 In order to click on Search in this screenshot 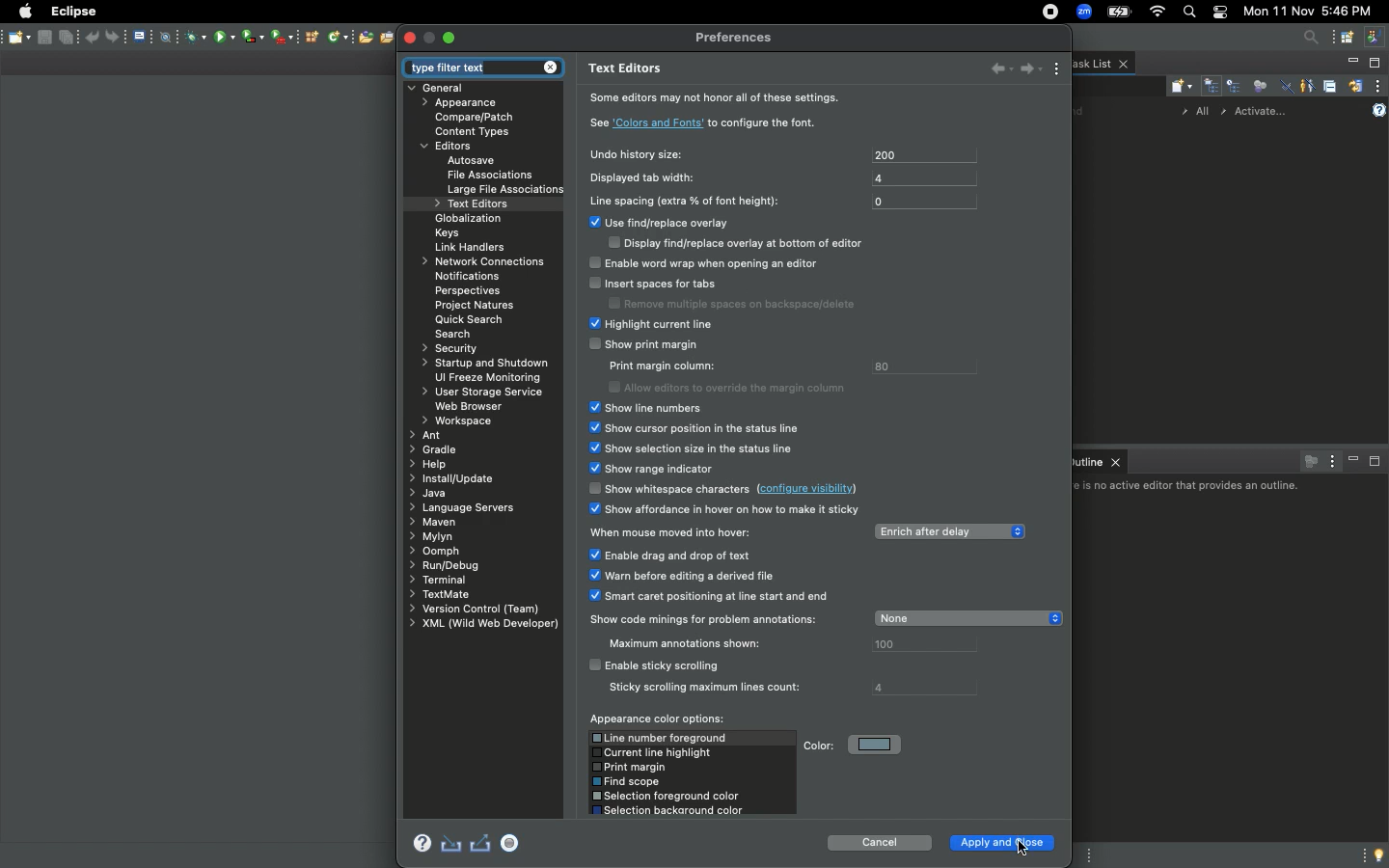, I will do `click(458, 334)`.